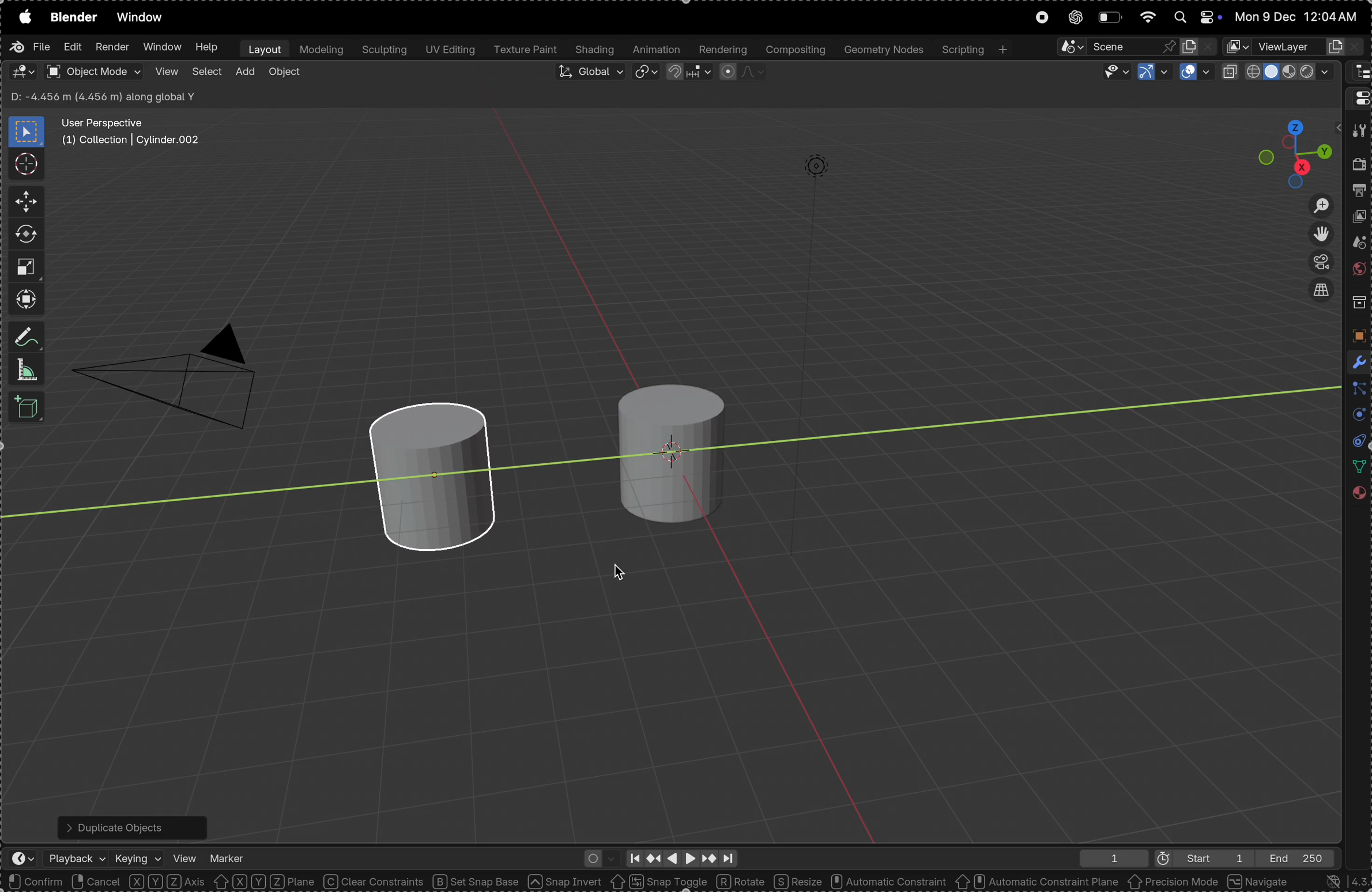 This screenshot has height=892, width=1372. I want to click on annotate measure, so click(28, 338).